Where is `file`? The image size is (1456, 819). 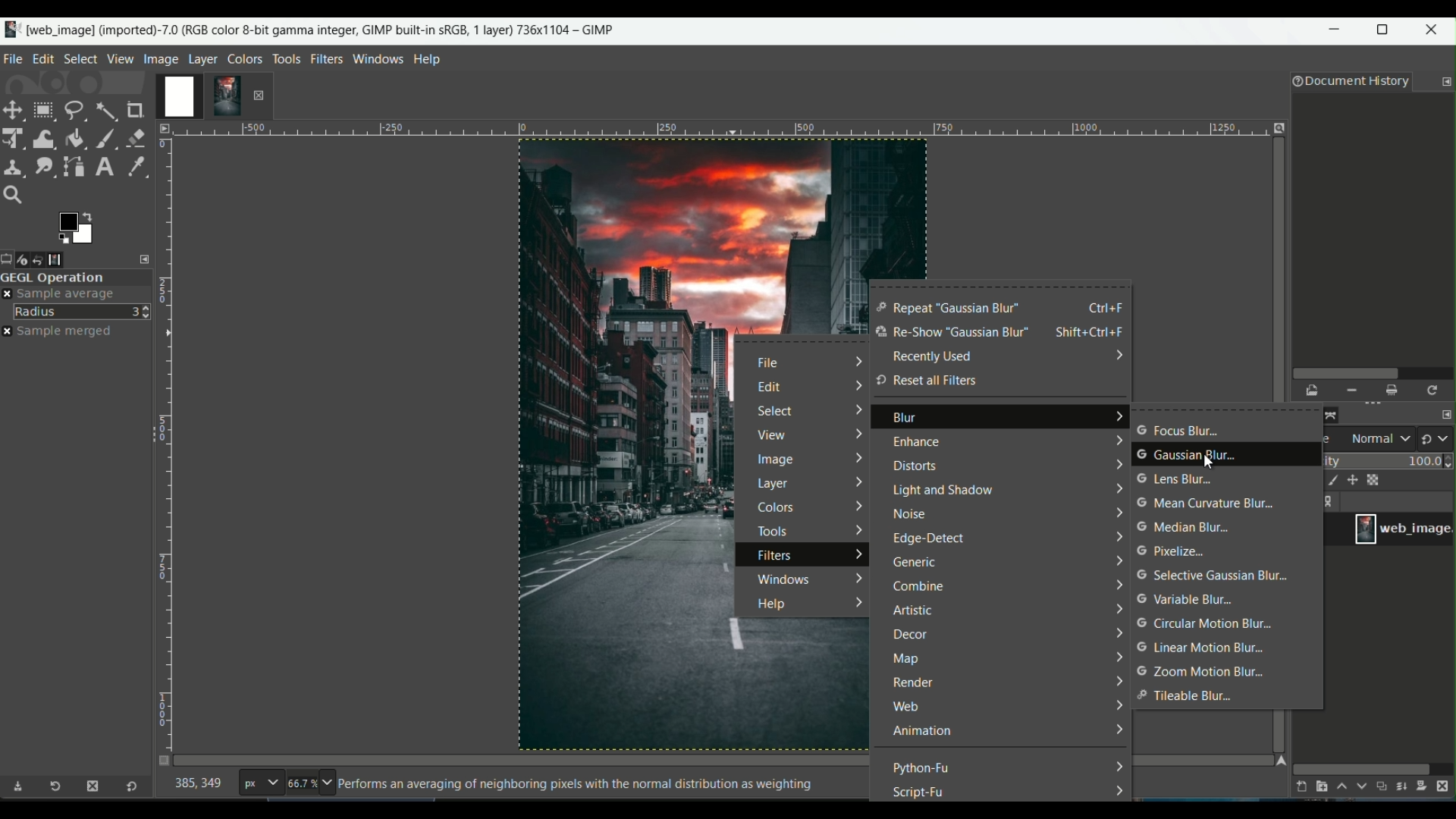 file is located at coordinates (772, 364).